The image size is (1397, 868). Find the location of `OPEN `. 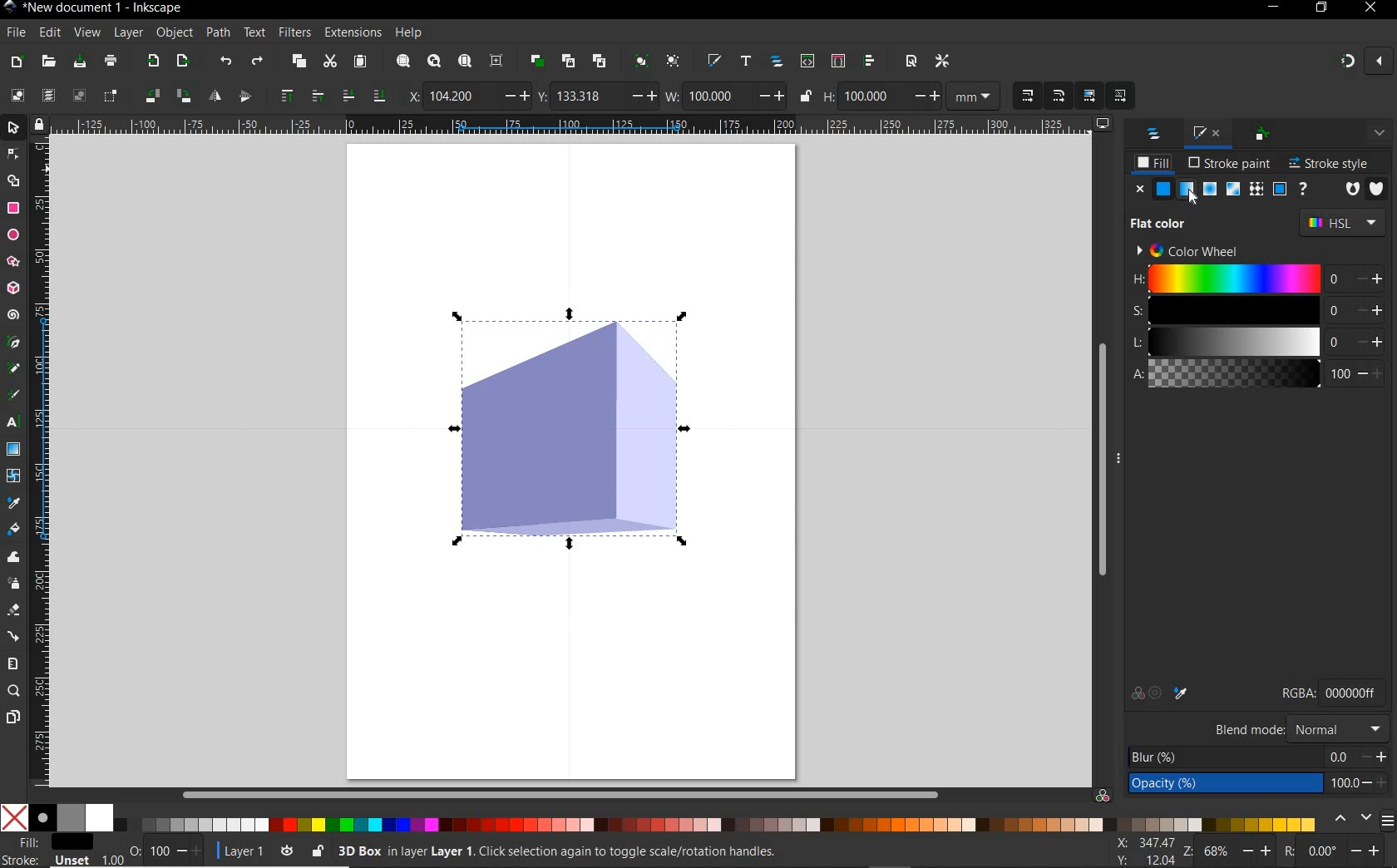

OPEN  is located at coordinates (47, 62).